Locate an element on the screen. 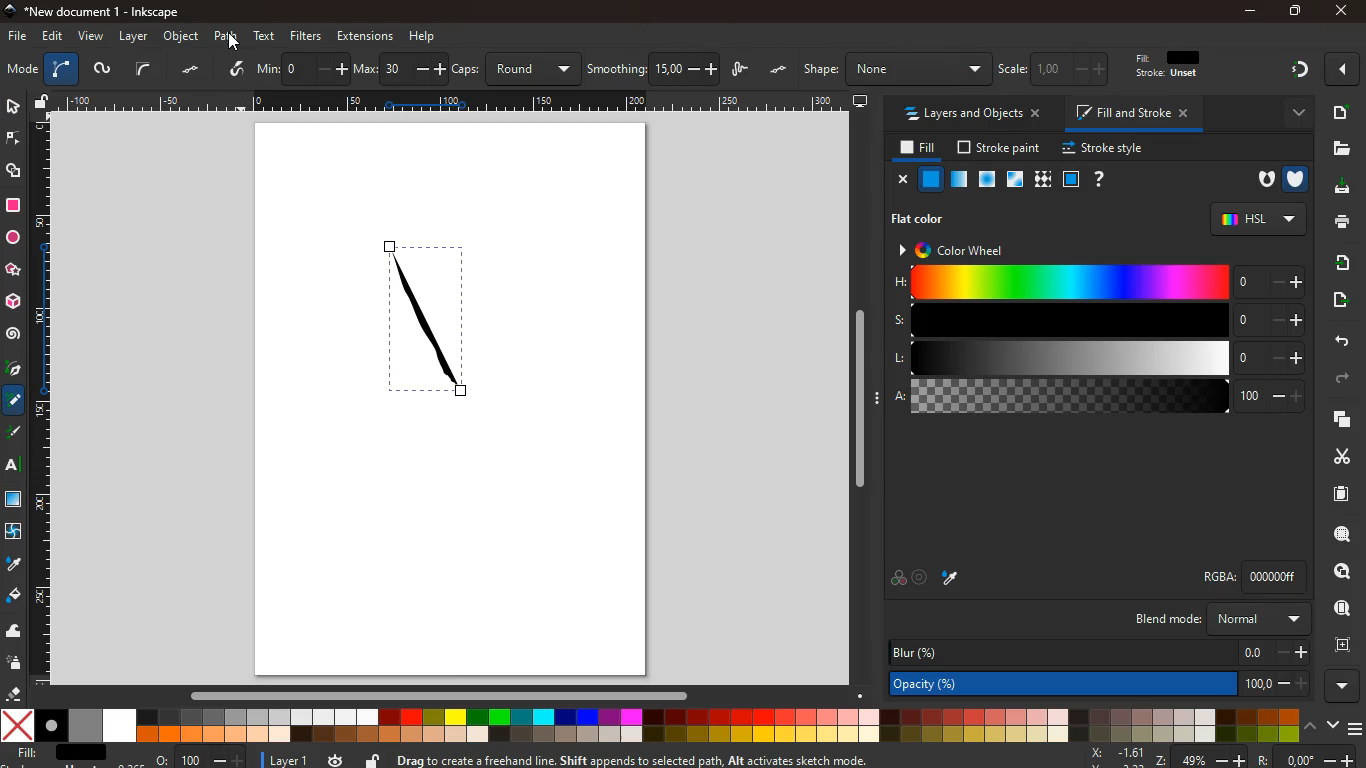 This screenshot has height=768, width=1366. Drag to create a freehand line. Shift appends to selected path, Alt activates sketch mode. is located at coordinates (645, 760).